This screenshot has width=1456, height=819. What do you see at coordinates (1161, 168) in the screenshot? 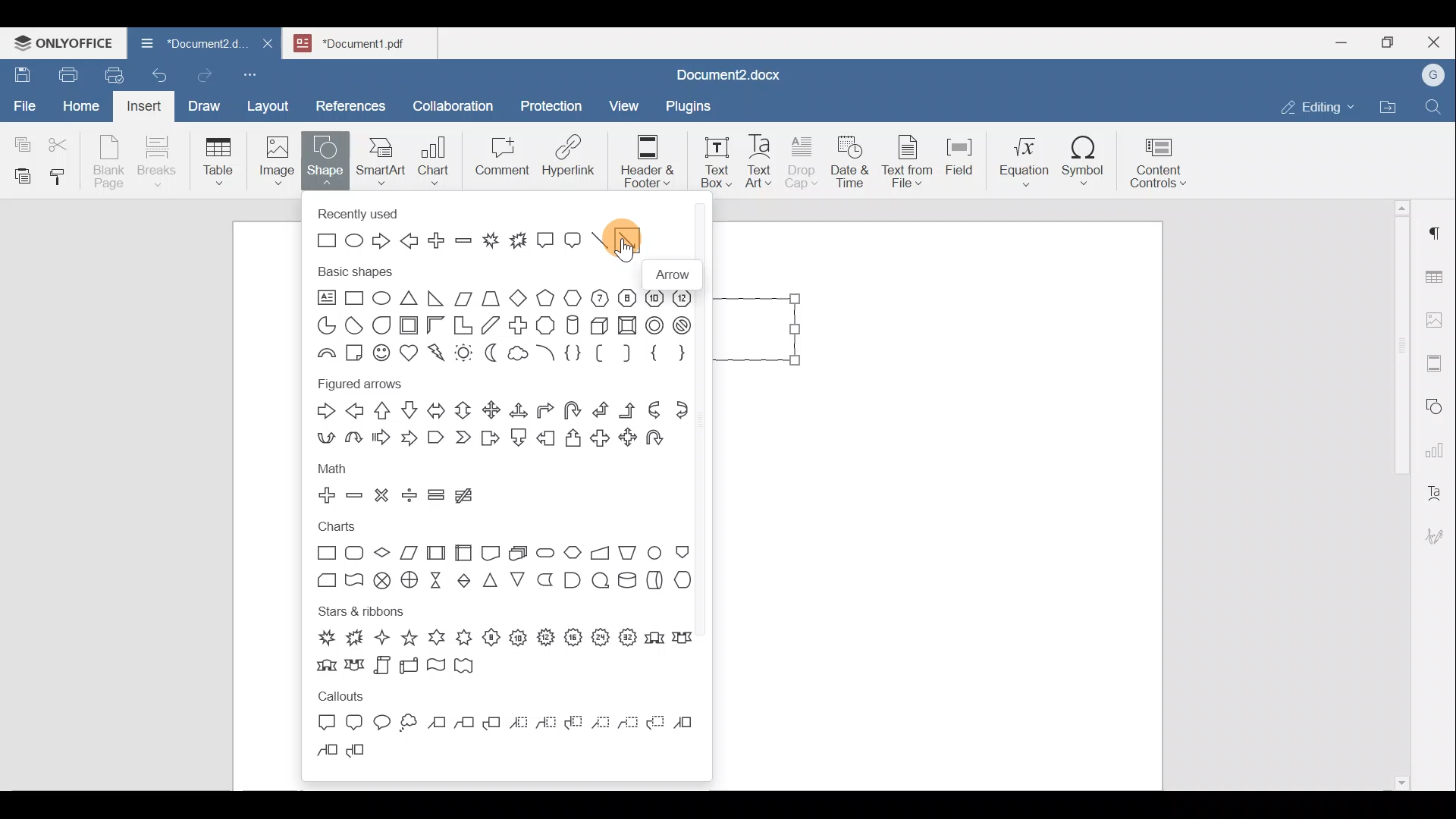
I see `Content controls` at bounding box center [1161, 168].